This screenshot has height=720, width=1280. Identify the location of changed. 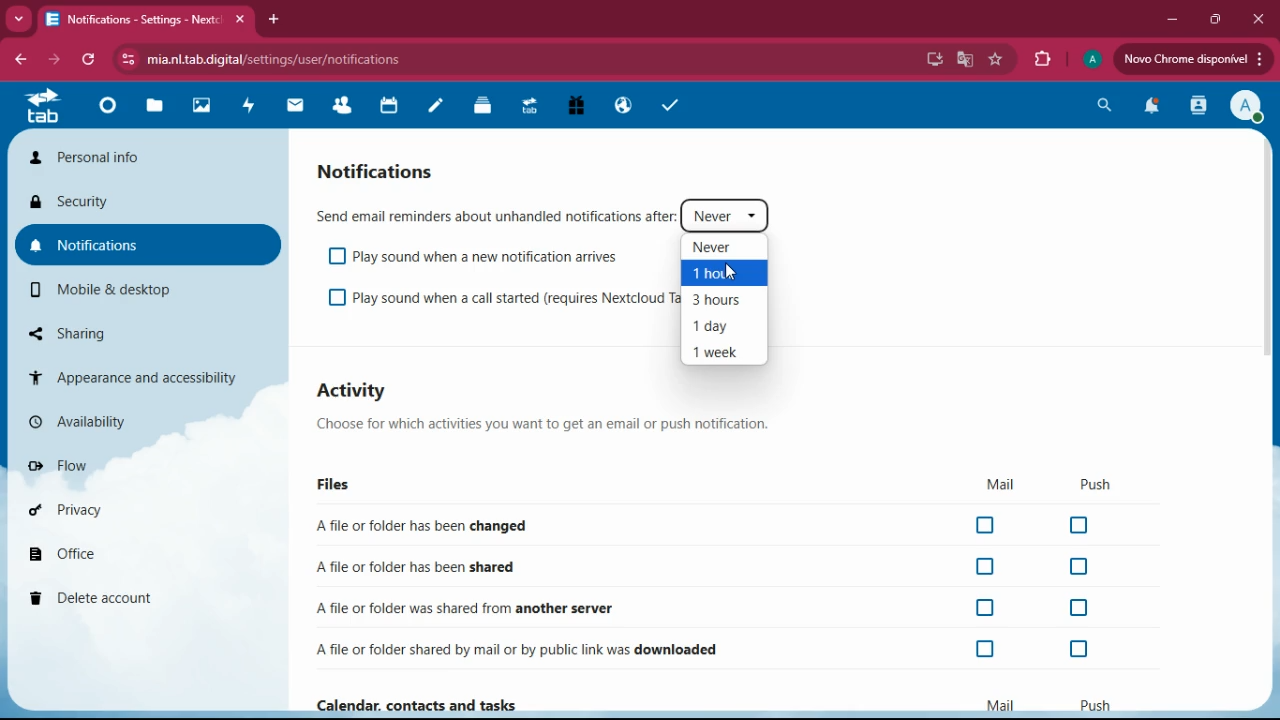
(438, 525).